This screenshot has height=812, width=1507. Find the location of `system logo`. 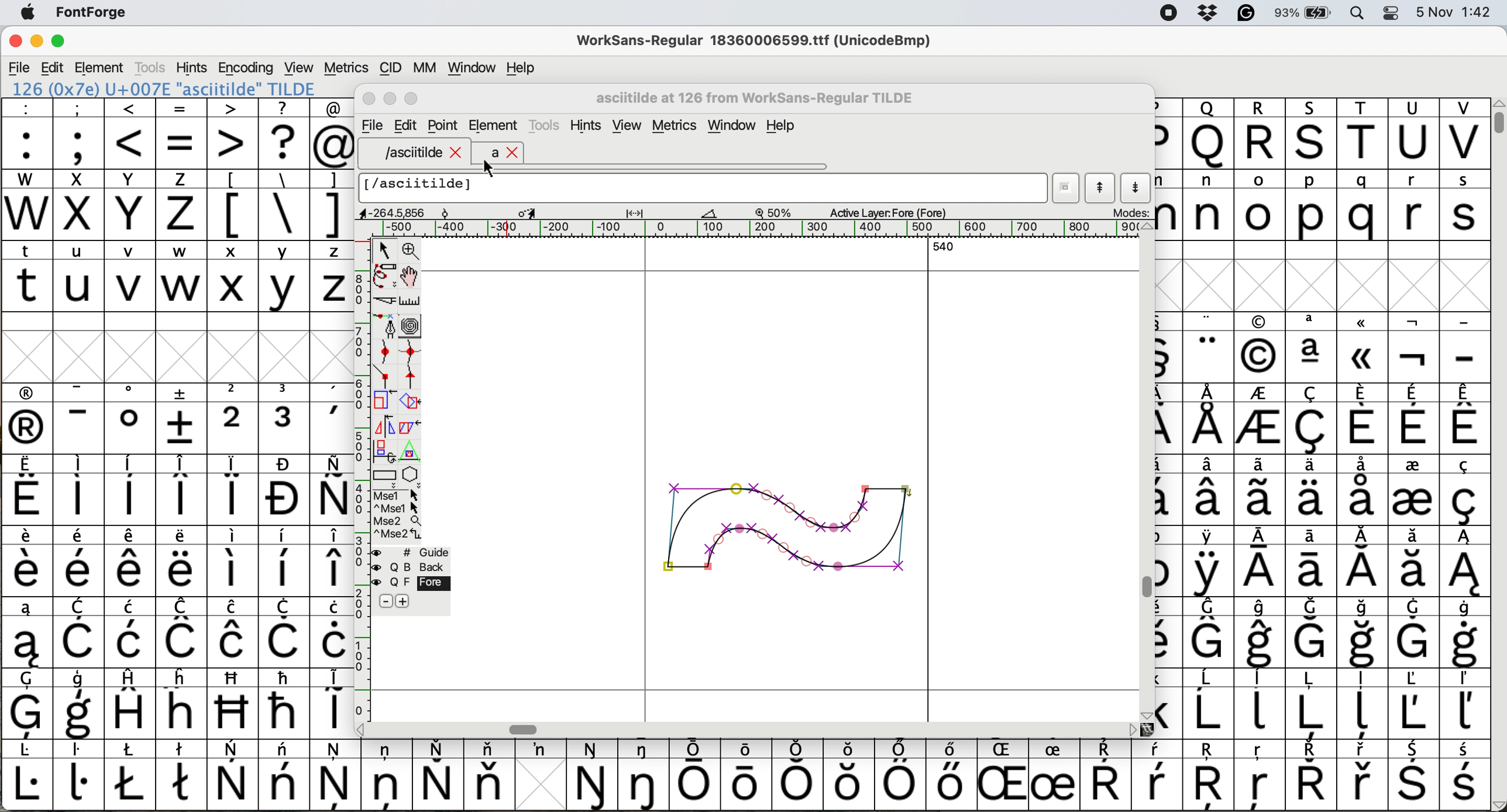

system logo is located at coordinates (27, 13).